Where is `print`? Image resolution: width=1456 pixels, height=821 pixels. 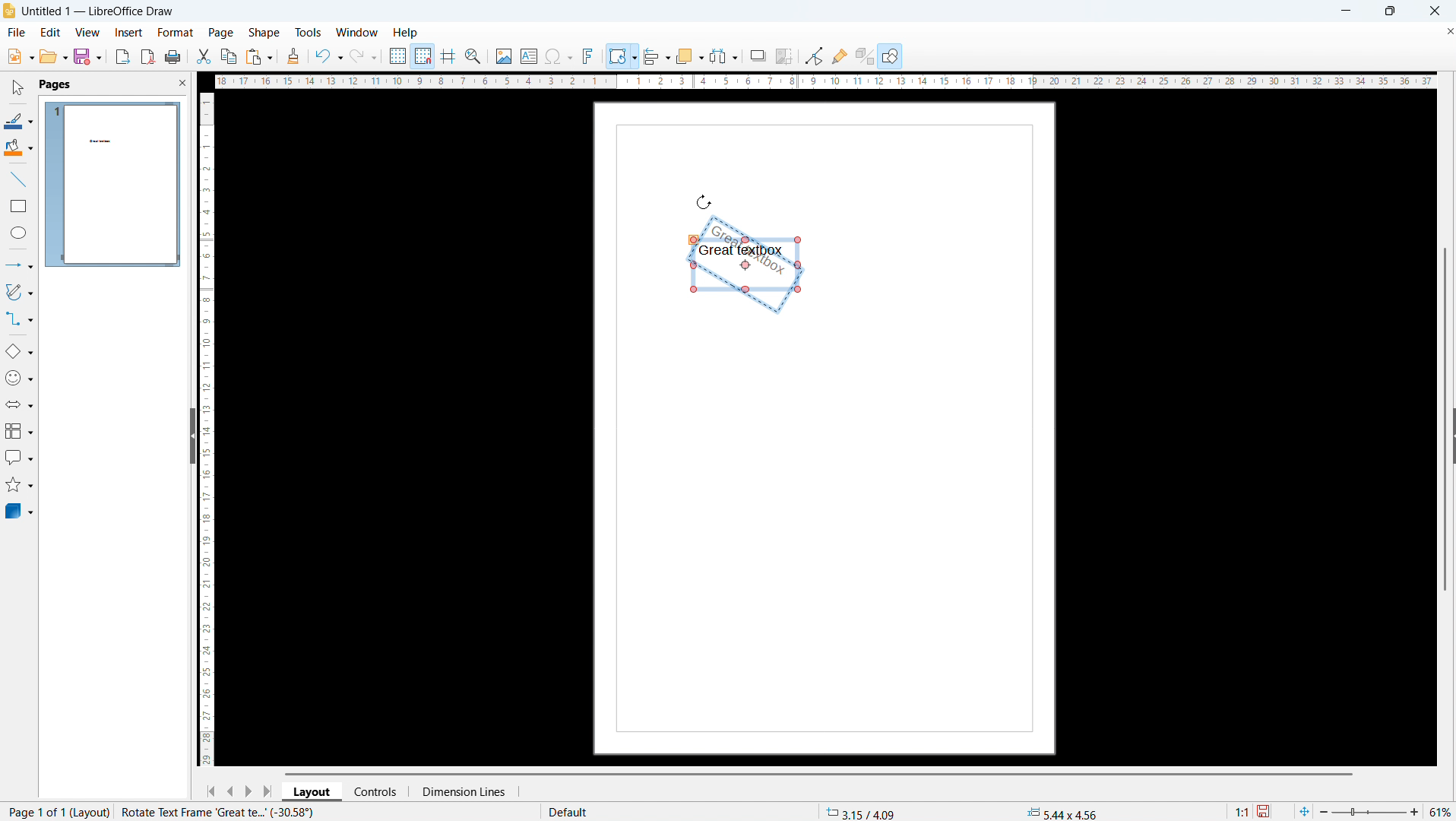
print is located at coordinates (173, 57).